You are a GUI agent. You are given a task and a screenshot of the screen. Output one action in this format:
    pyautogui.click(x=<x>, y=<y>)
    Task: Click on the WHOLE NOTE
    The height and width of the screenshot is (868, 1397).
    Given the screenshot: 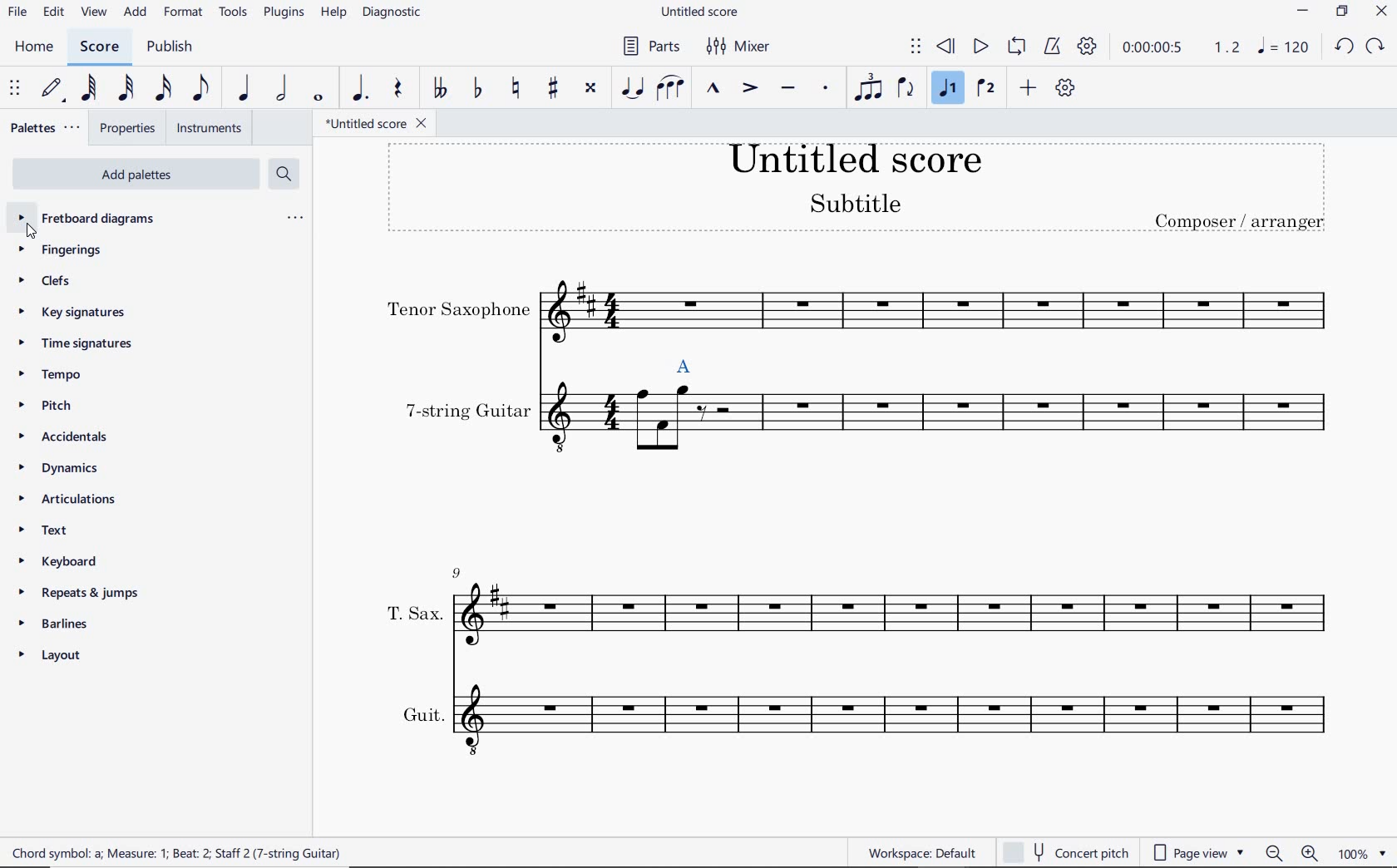 What is the action you would take?
    pyautogui.click(x=317, y=100)
    